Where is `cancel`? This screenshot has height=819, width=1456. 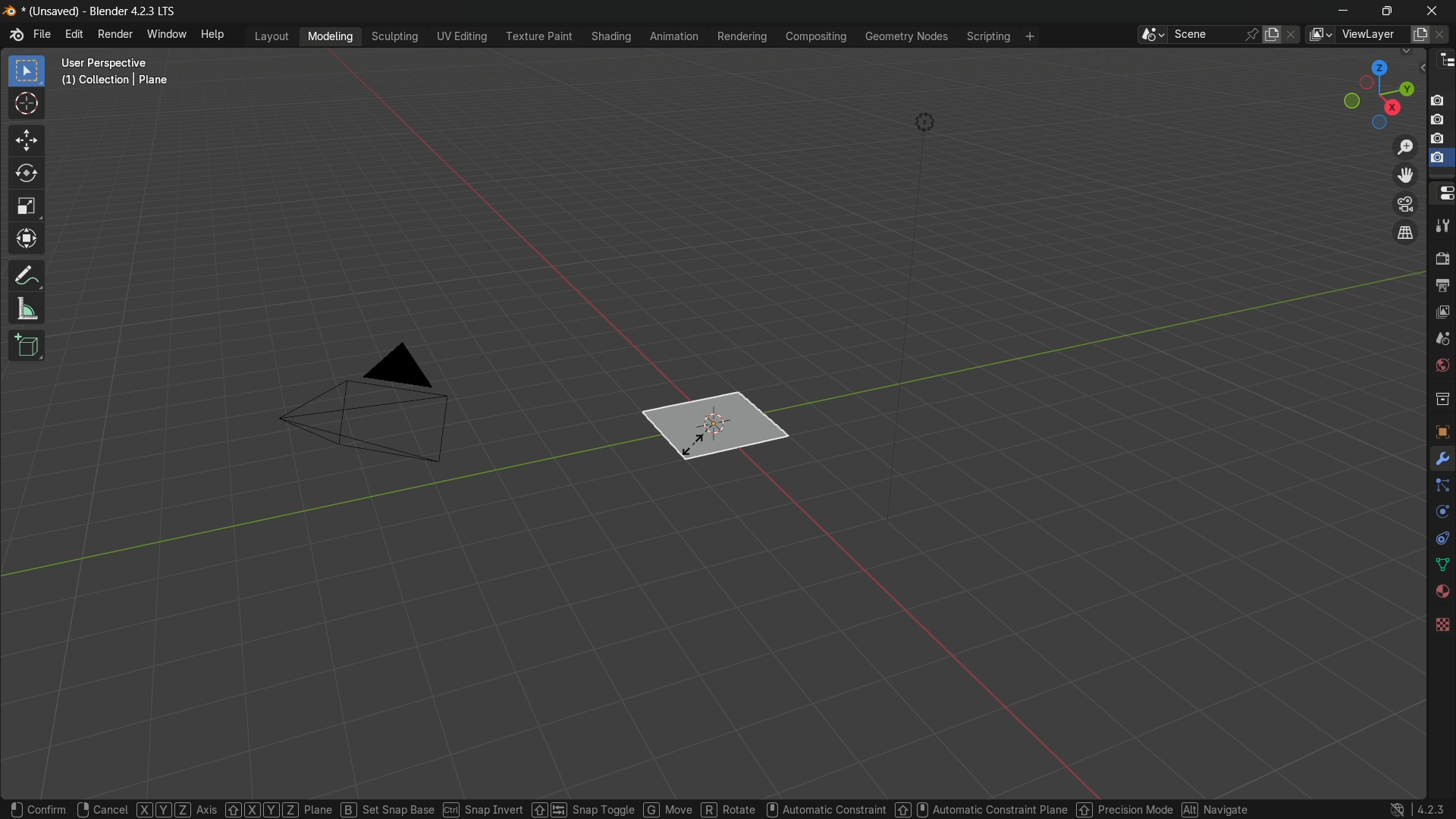
cancel is located at coordinates (102, 802).